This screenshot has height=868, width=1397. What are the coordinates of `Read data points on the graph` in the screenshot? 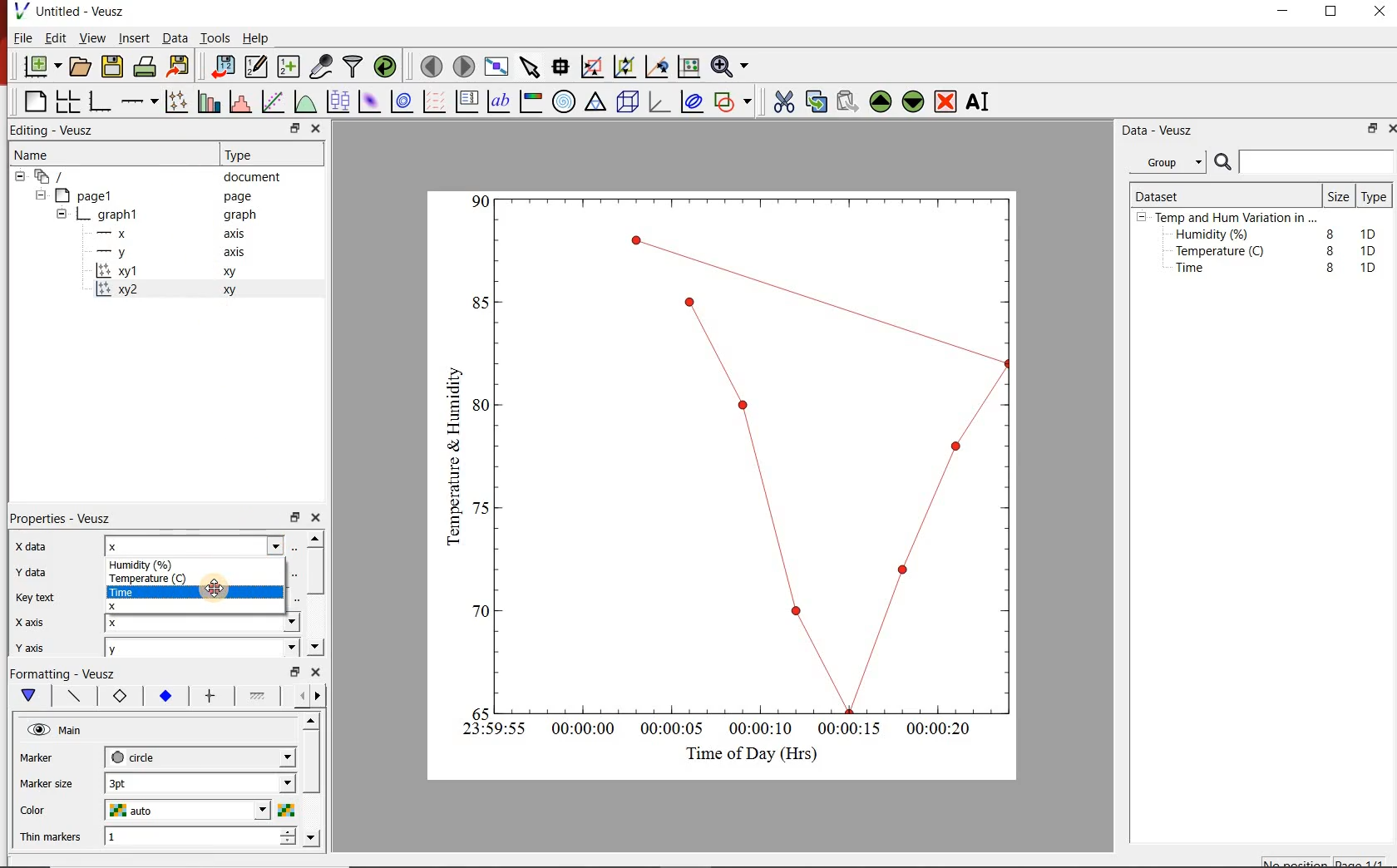 It's located at (562, 67).